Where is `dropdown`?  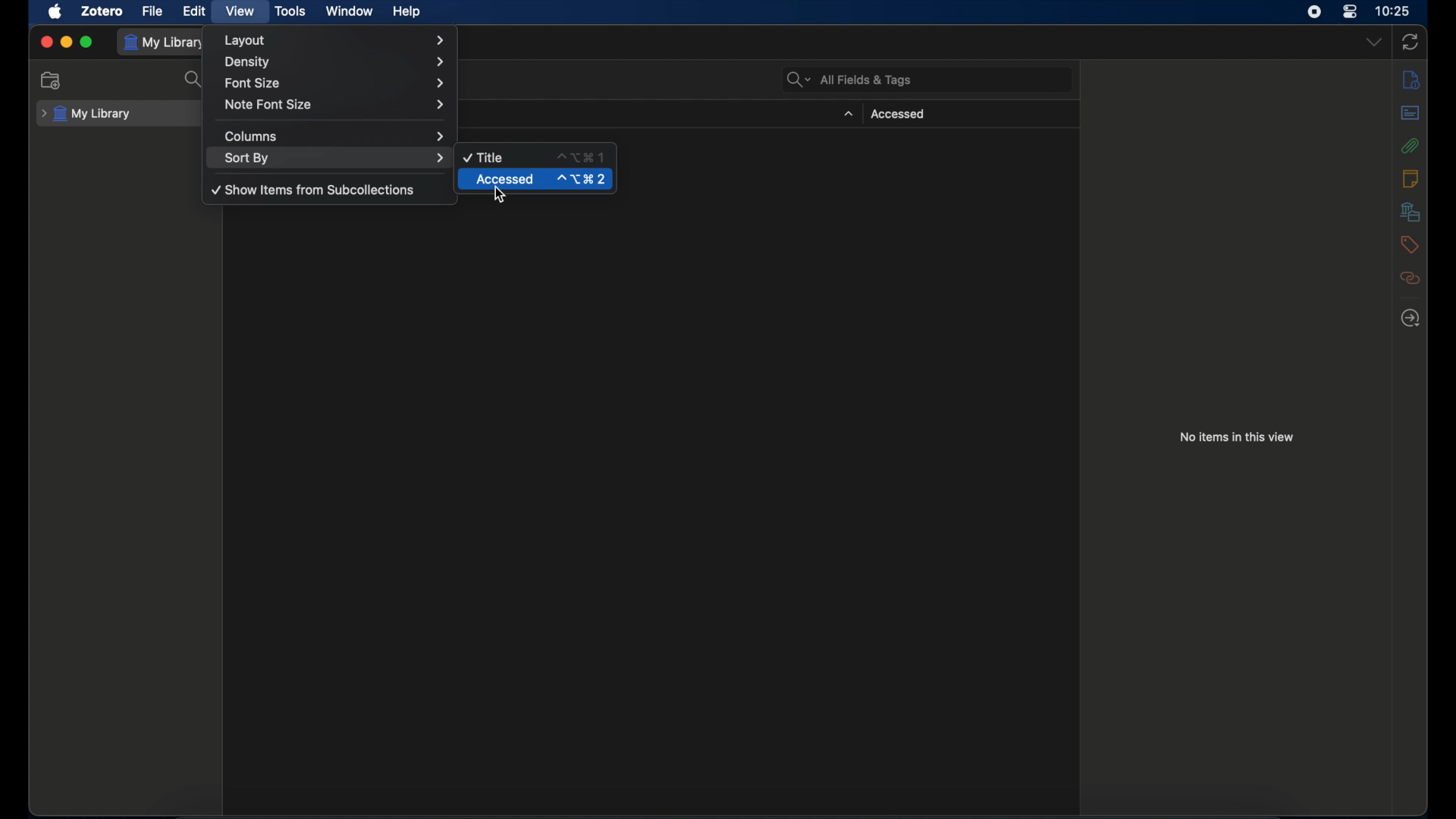 dropdown is located at coordinates (1373, 42).